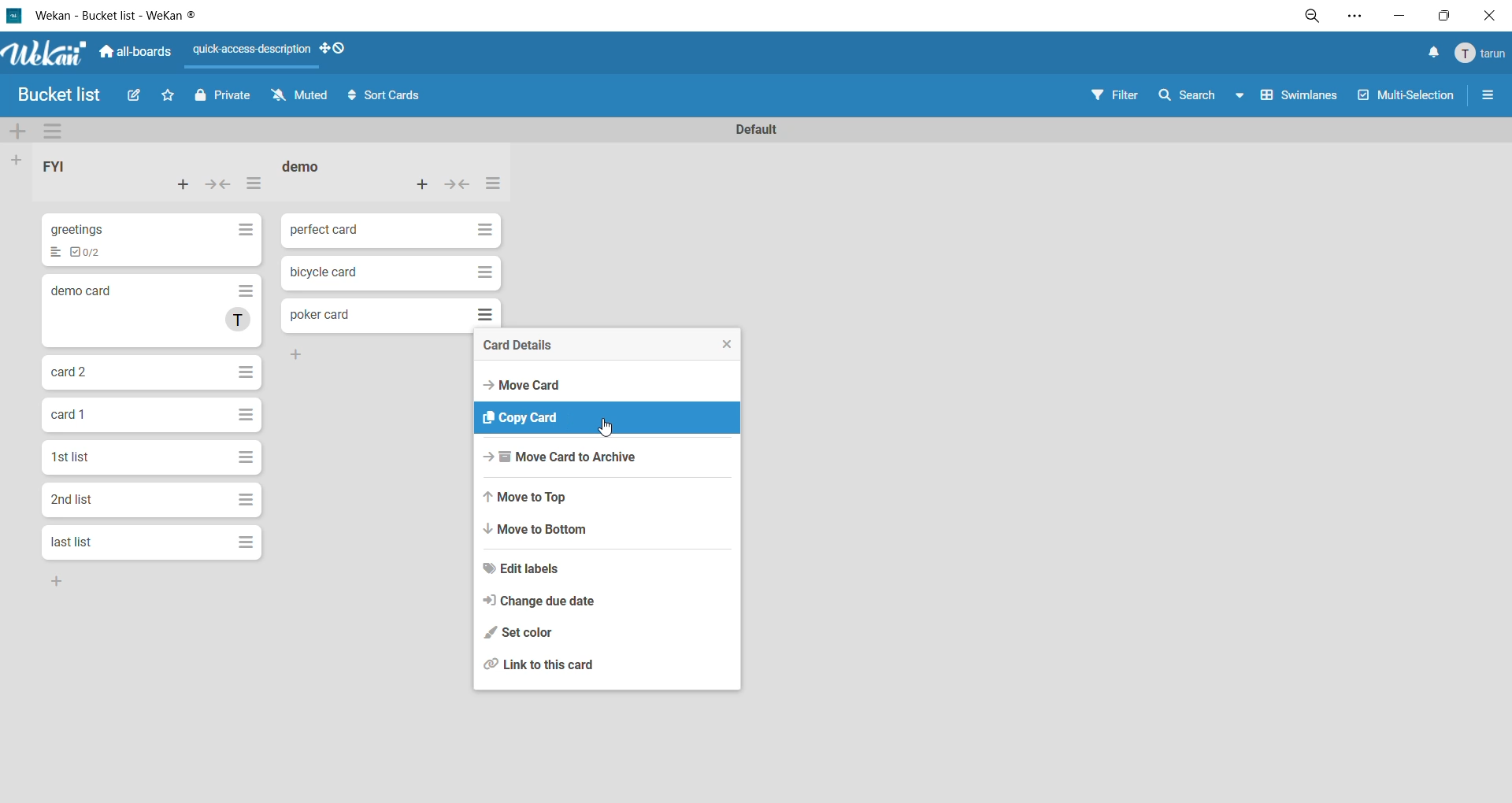  Describe the element at coordinates (524, 384) in the screenshot. I see `move card` at that location.